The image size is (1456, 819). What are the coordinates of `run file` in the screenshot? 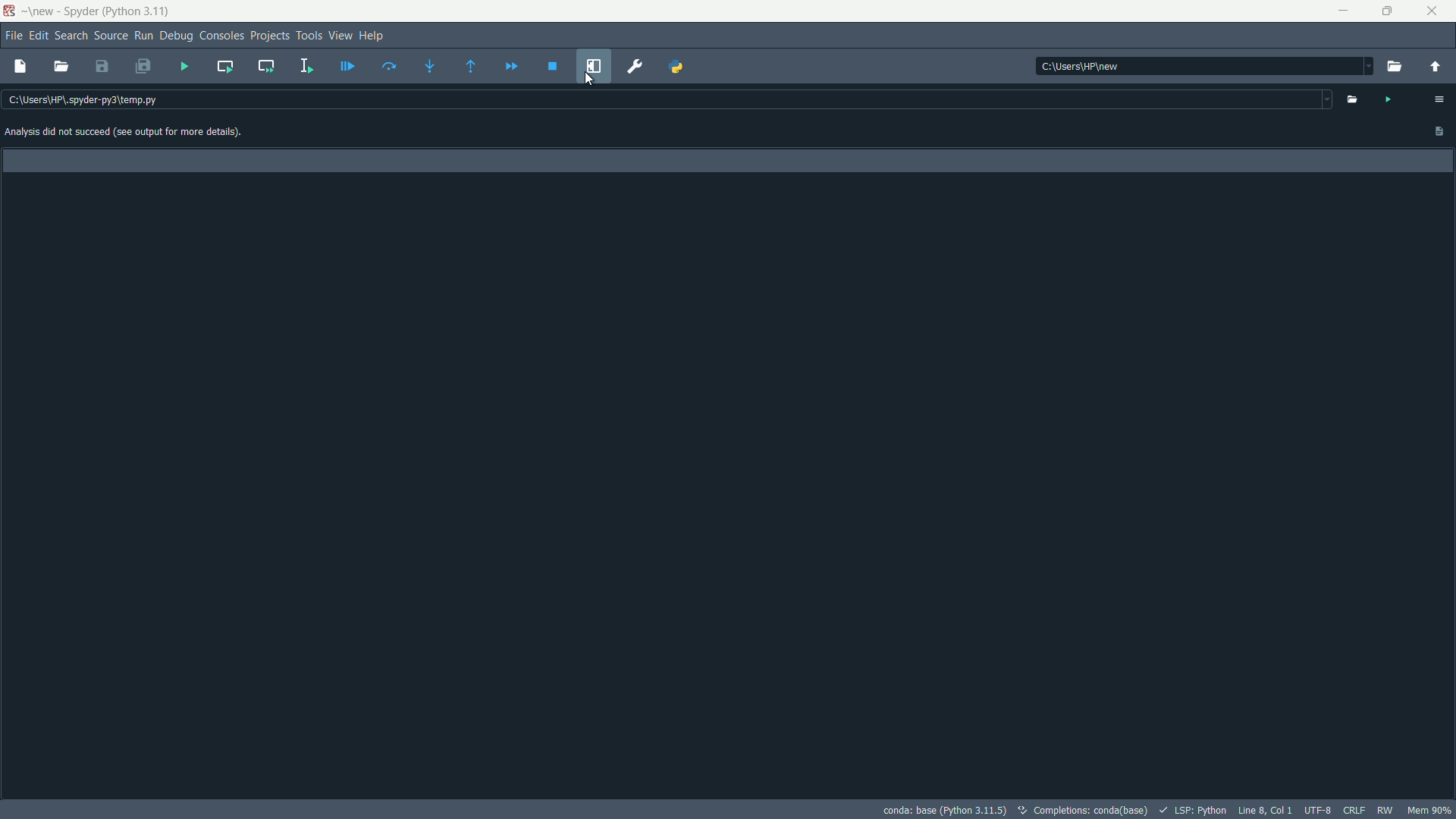 It's located at (184, 68).